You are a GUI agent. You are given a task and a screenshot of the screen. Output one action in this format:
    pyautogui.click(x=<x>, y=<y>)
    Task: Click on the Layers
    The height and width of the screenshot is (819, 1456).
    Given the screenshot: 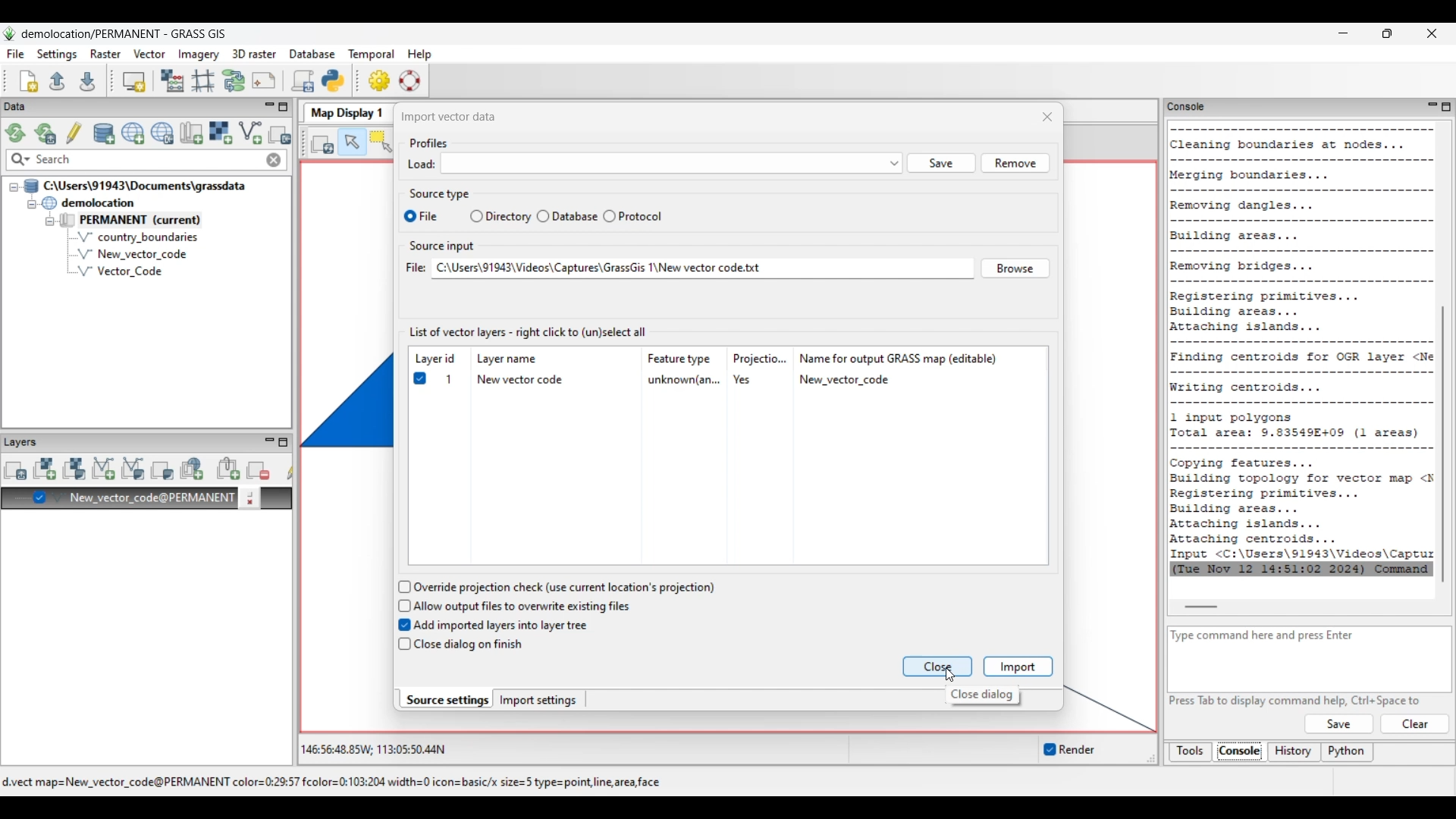 What is the action you would take?
    pyautogui.click(x=24, y=441)
    